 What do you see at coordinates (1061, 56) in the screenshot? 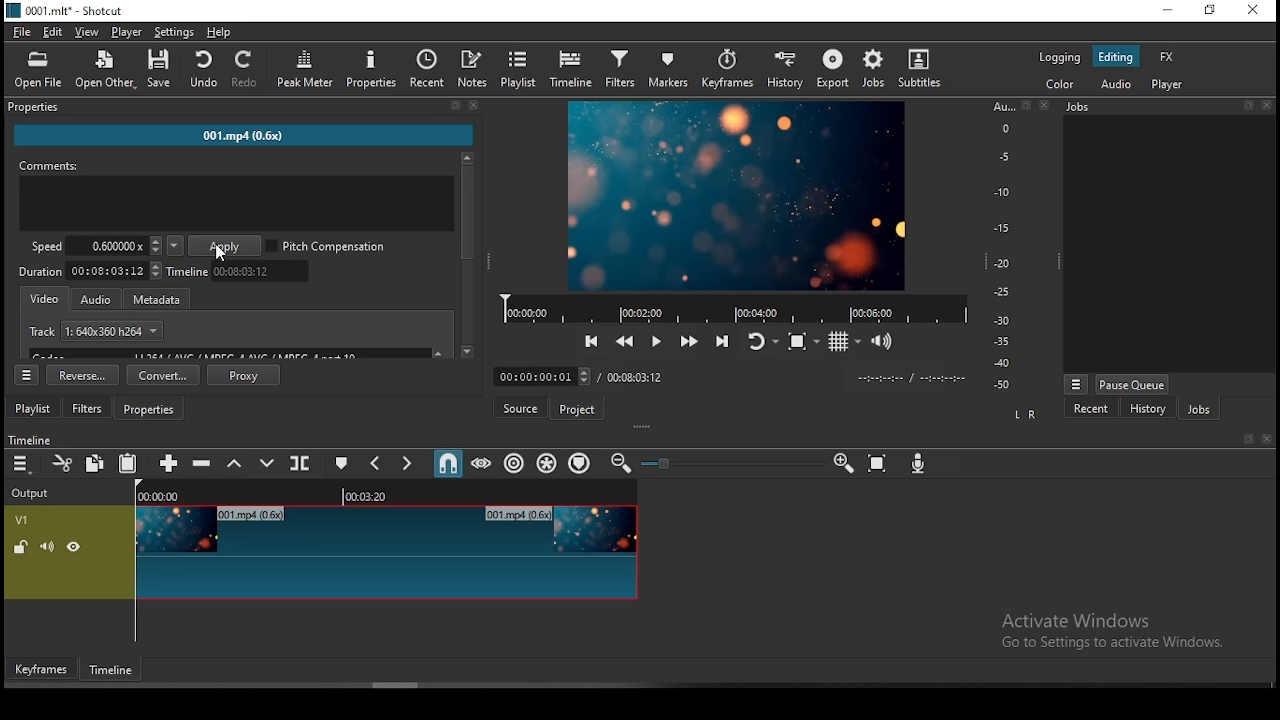
I see `logging` at bounding box center [1061, 56].